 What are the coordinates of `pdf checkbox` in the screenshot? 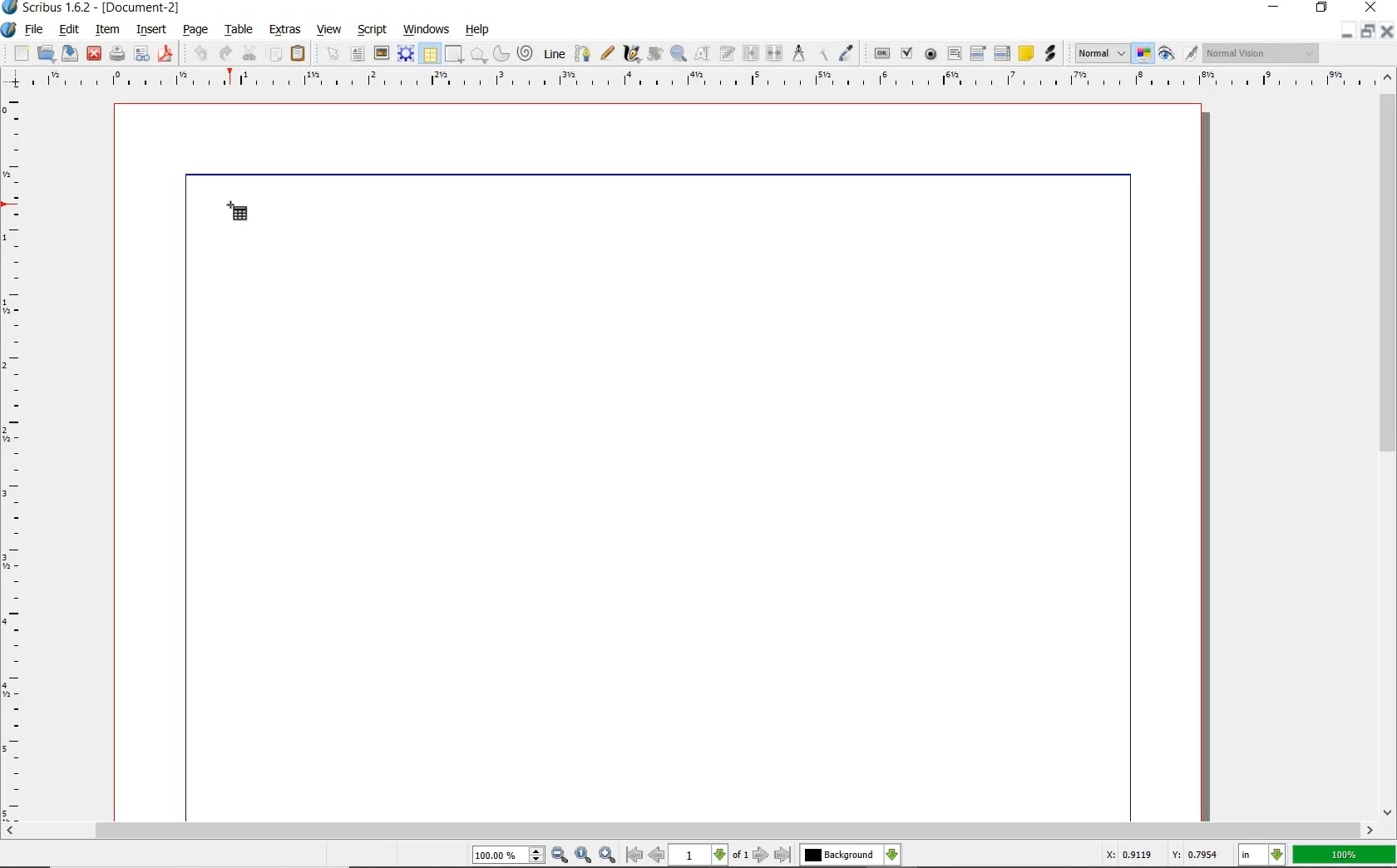 It's located at (905, 53).